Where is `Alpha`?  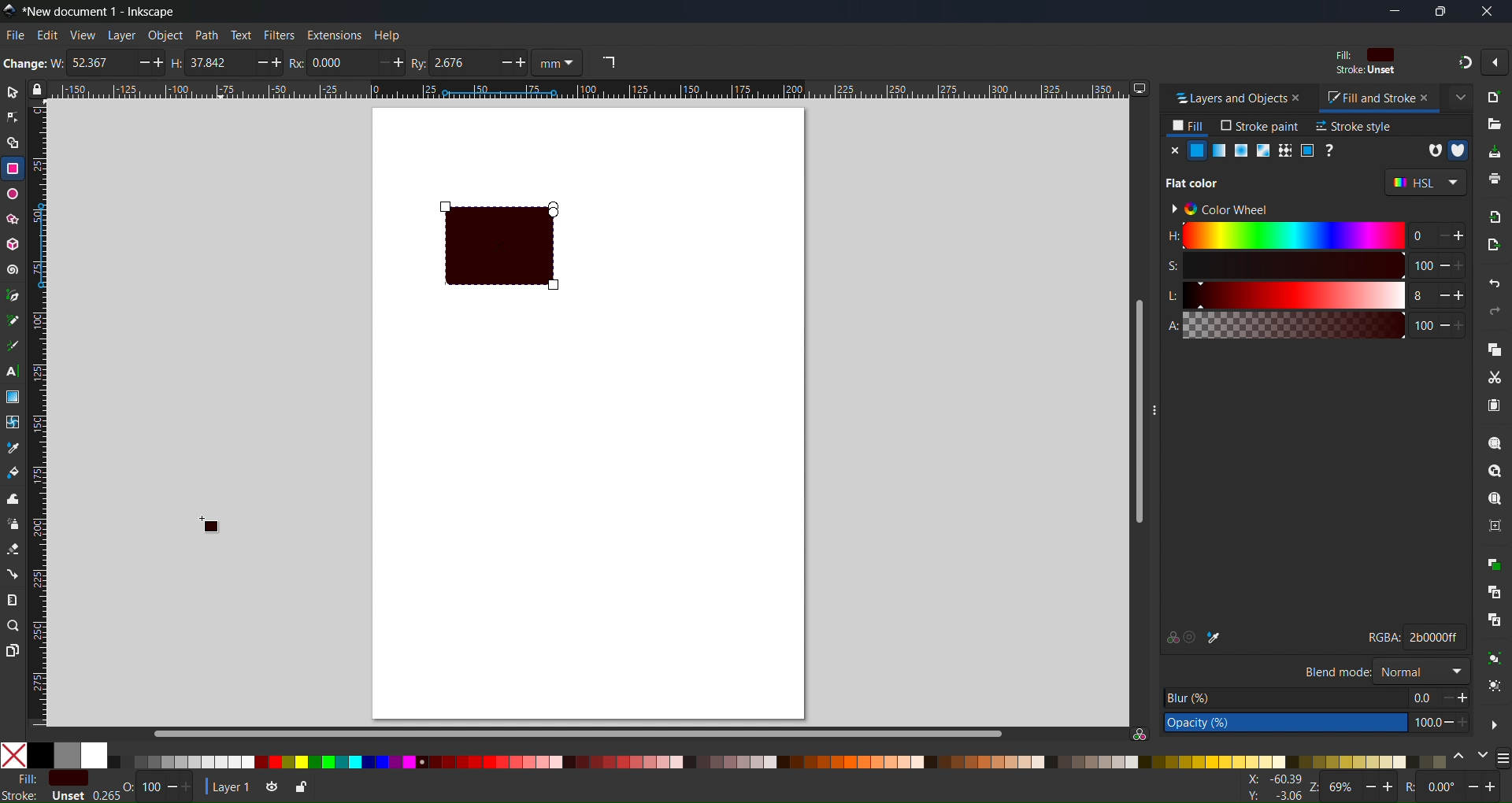
Alpha is located at coordinates (1282, 325).